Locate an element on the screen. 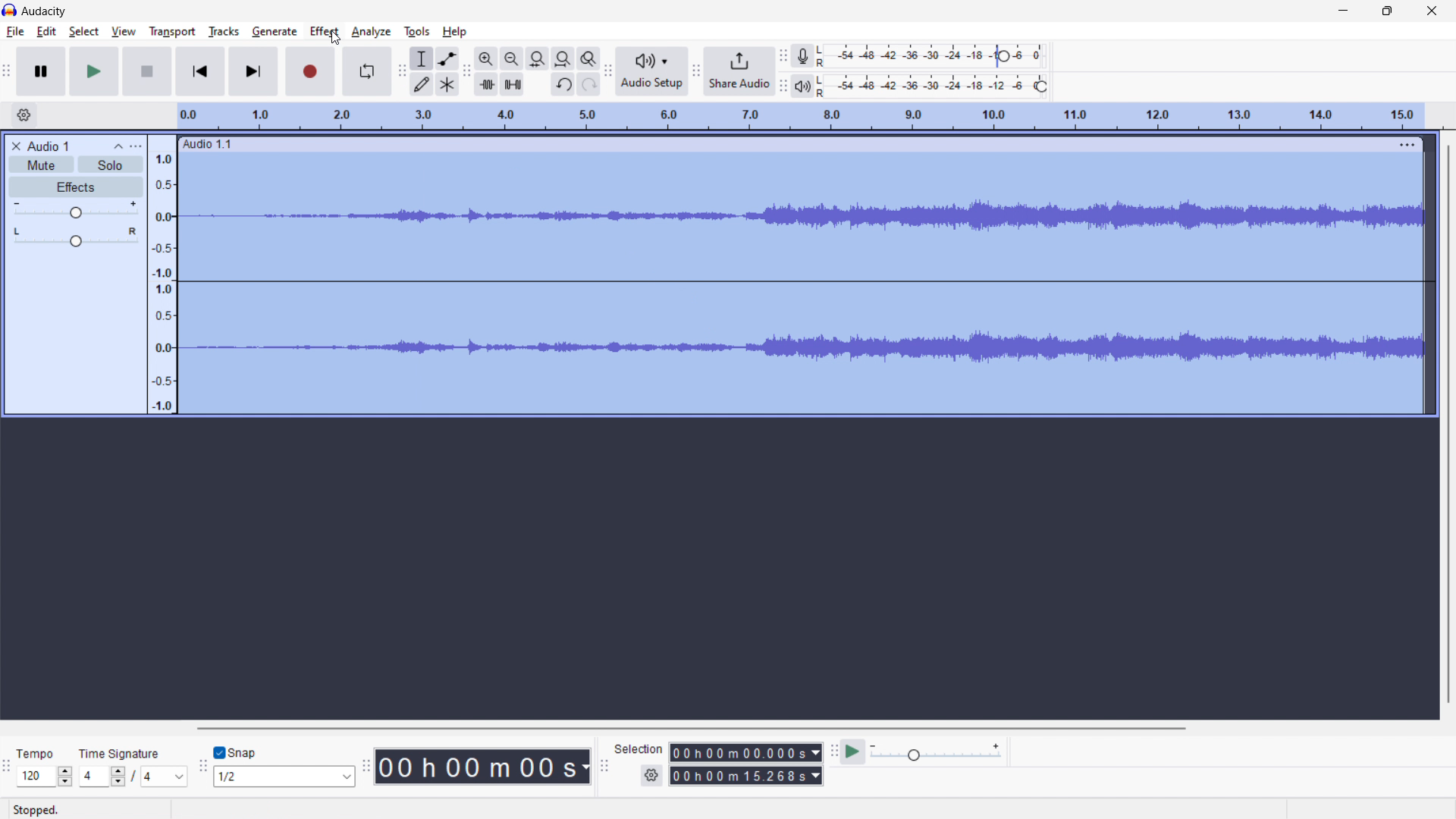 The height and width of the screenshot is (819, 1456). redo is located at coordinates (589, 83).